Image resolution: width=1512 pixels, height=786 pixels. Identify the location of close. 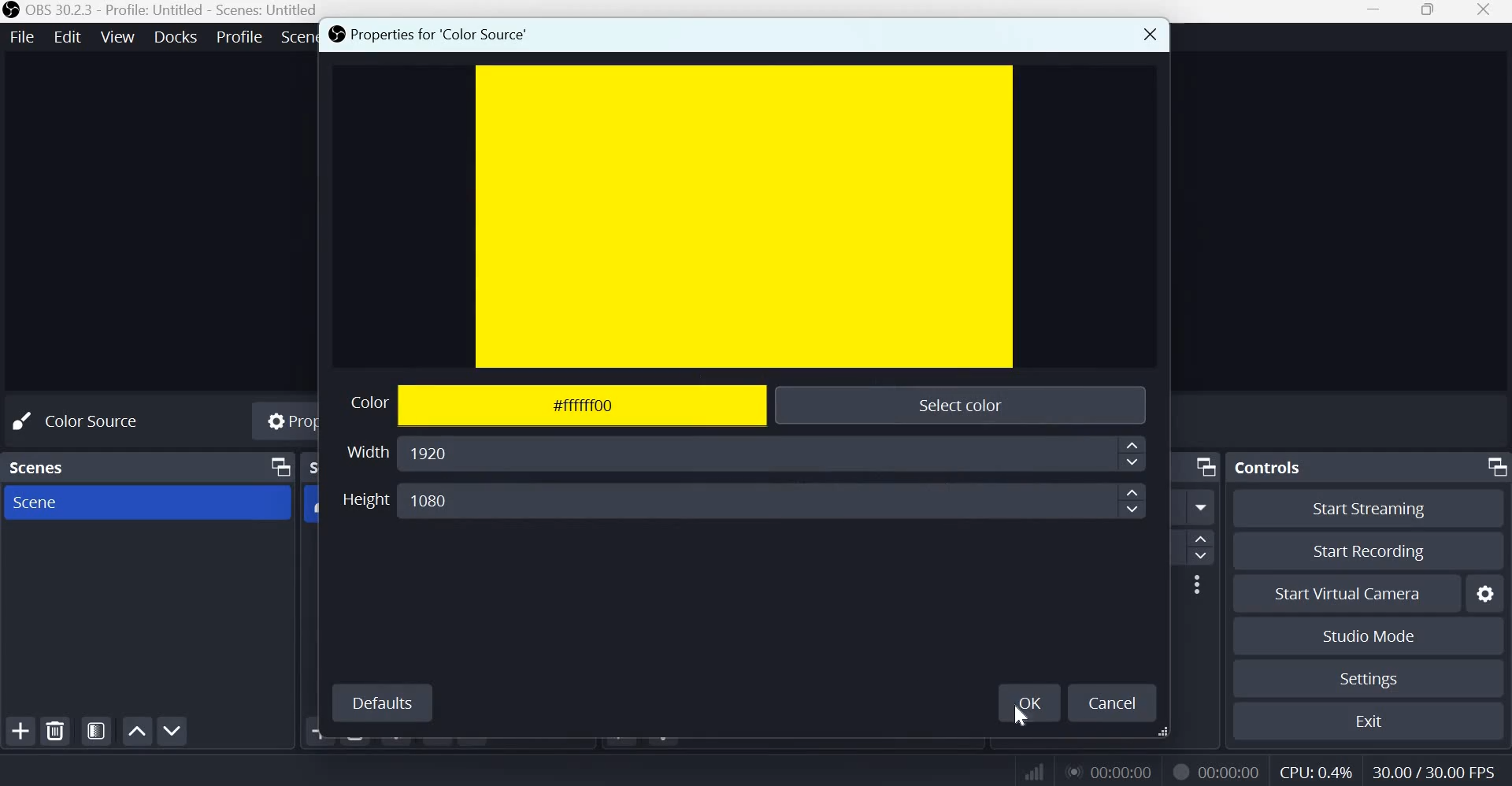
(1147, 33).